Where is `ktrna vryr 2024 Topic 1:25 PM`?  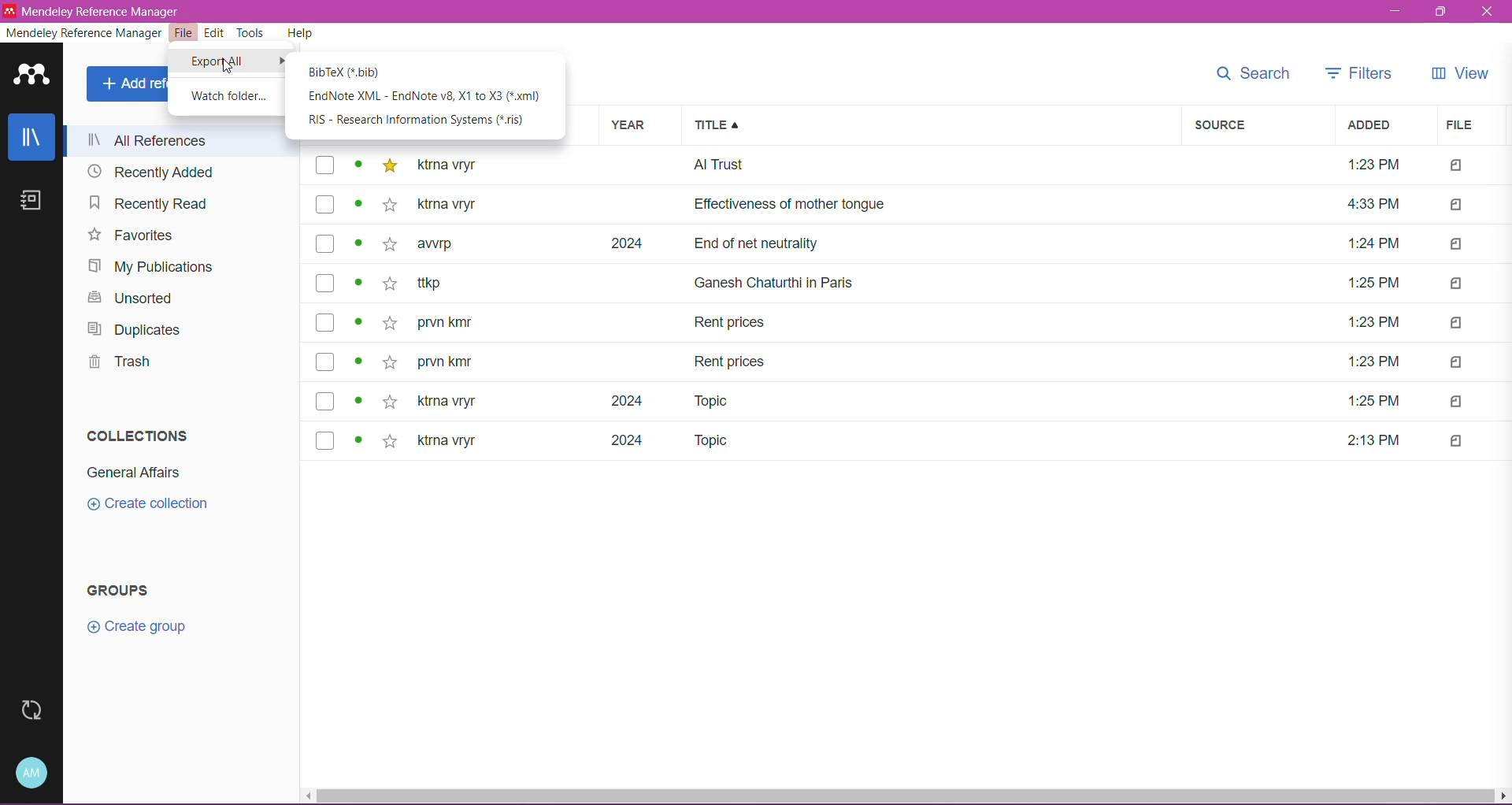 ktrna vryr 2024 Topic 1:25 PM is located at coordinates (910, 401).